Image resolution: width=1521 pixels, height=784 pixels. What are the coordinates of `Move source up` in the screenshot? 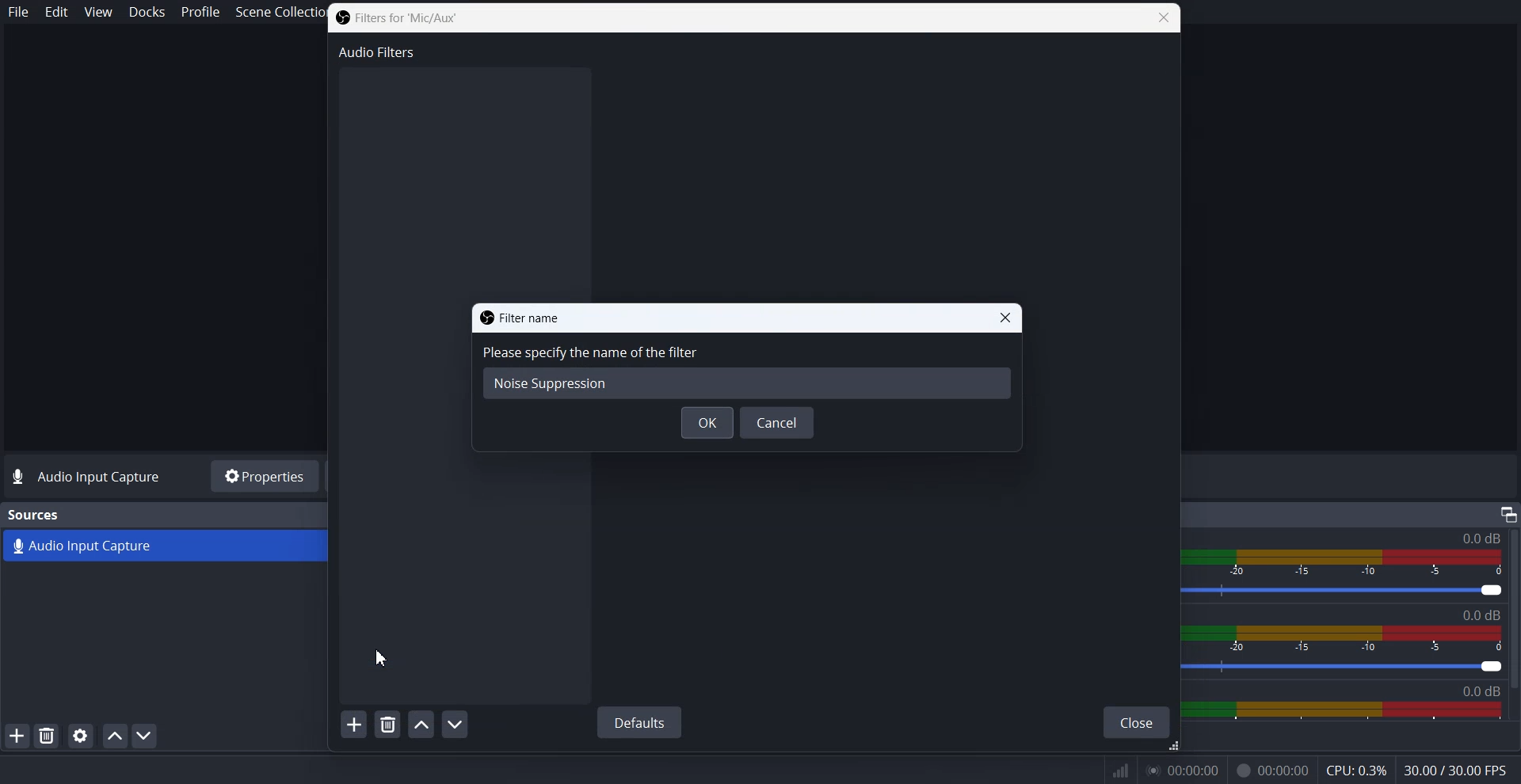 It's located at (115, 736).